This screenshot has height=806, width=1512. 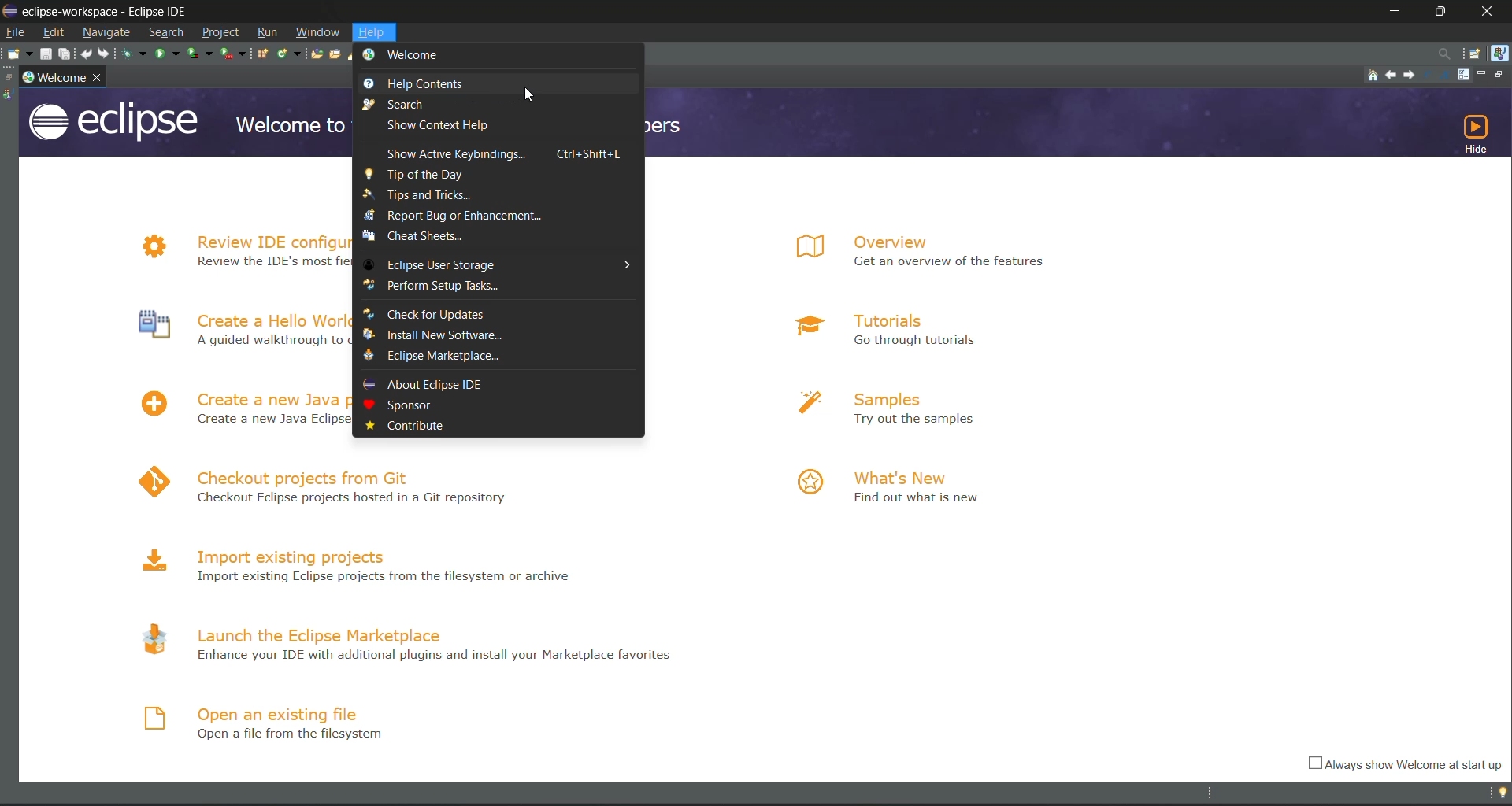 What do you see at coordinates (1447, 54) in the screenshot?
I see `access commands and other items` at bounding box center [1447, 54].